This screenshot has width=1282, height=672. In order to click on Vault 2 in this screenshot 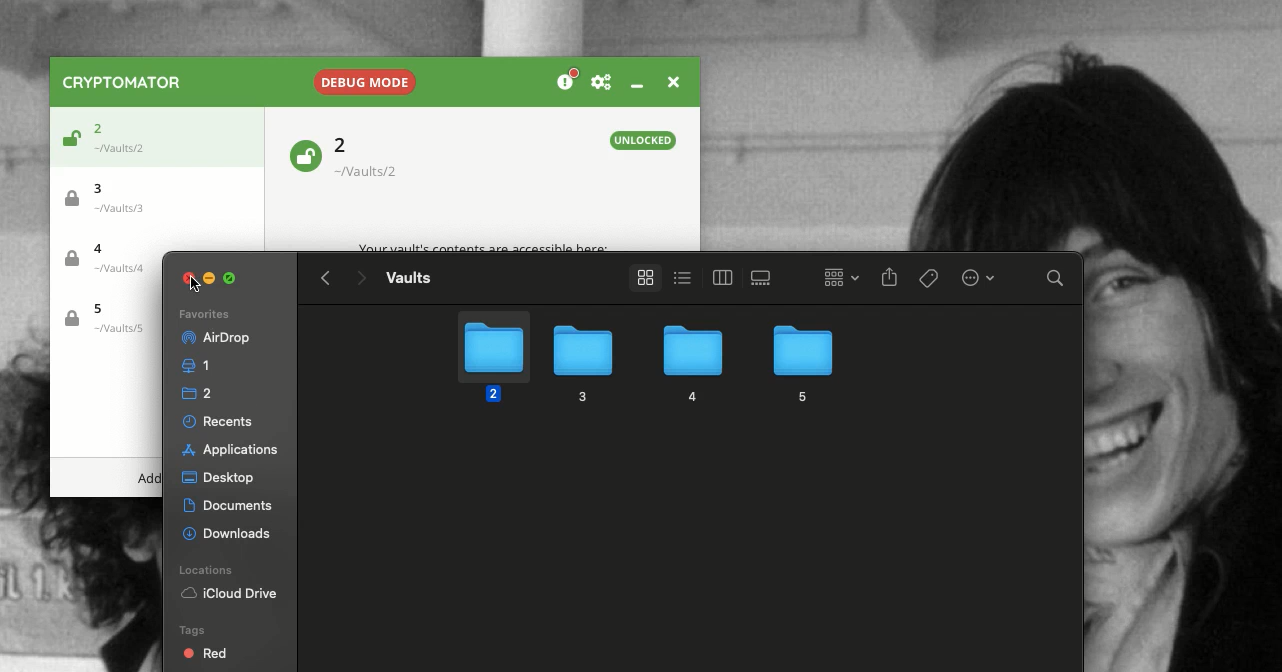, I will do `click(377, 157)`.